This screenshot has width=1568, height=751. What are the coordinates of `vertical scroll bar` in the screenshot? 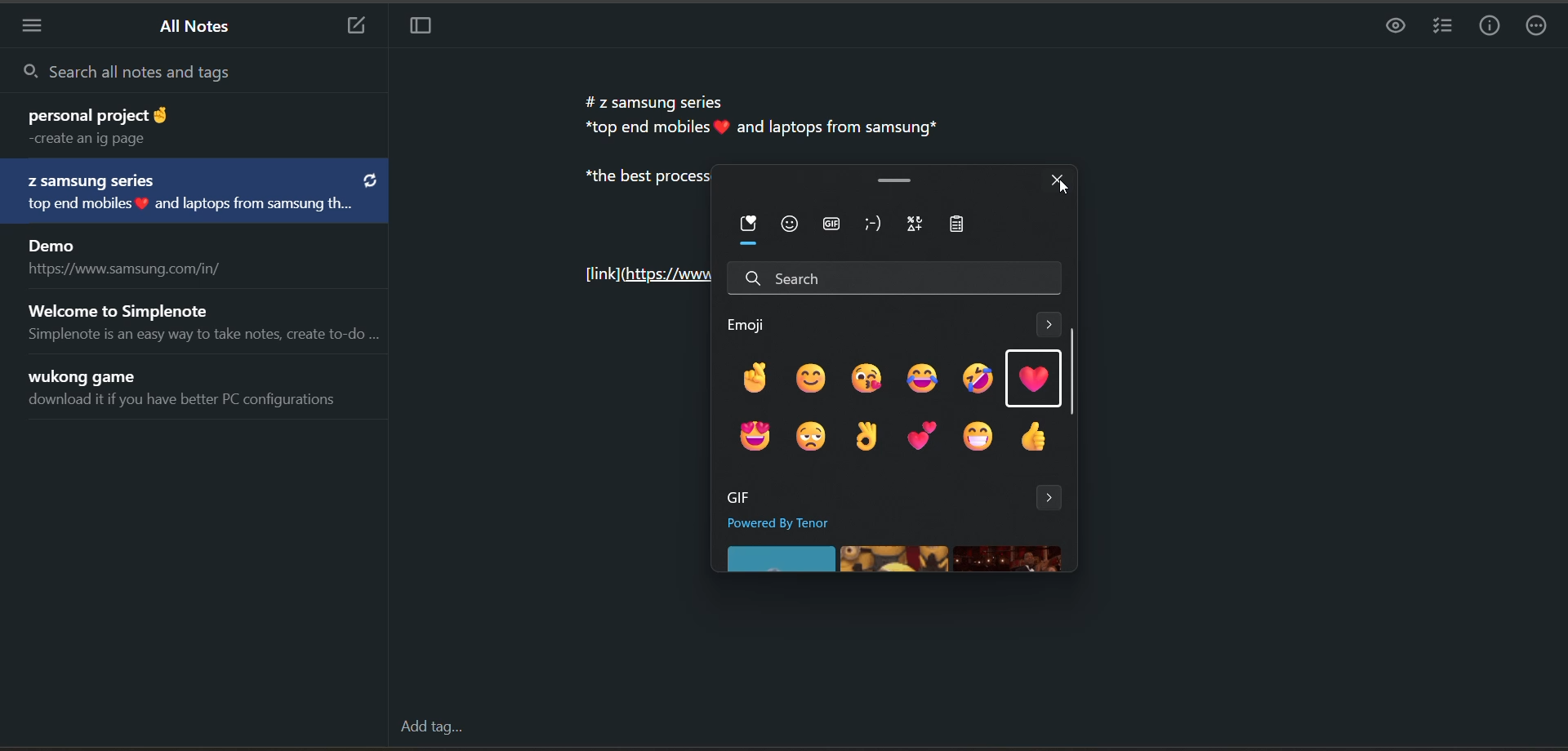 It's located at (1072, 372).